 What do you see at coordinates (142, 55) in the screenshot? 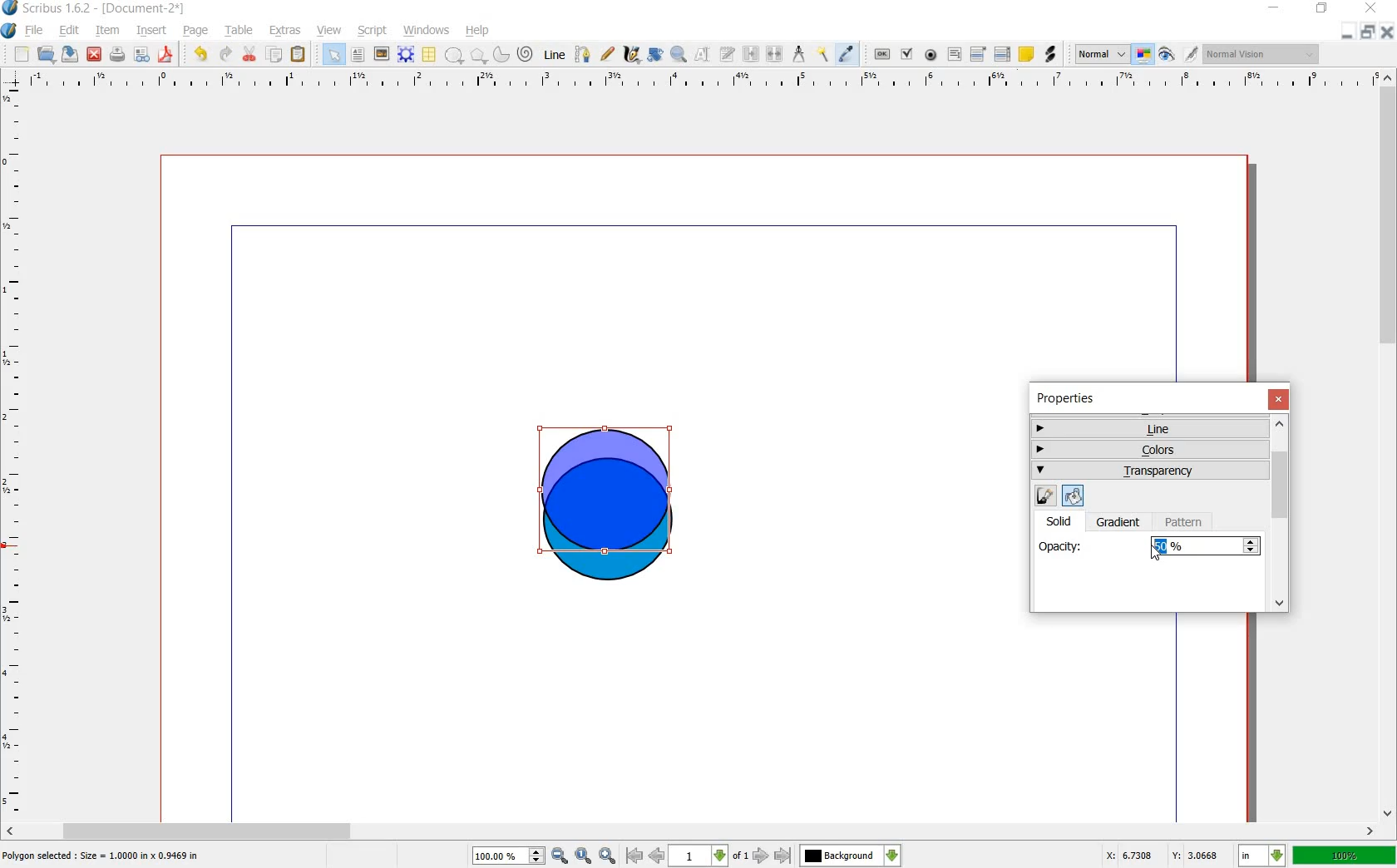
I see `preflight verifier` at bounding box center [142, 55].